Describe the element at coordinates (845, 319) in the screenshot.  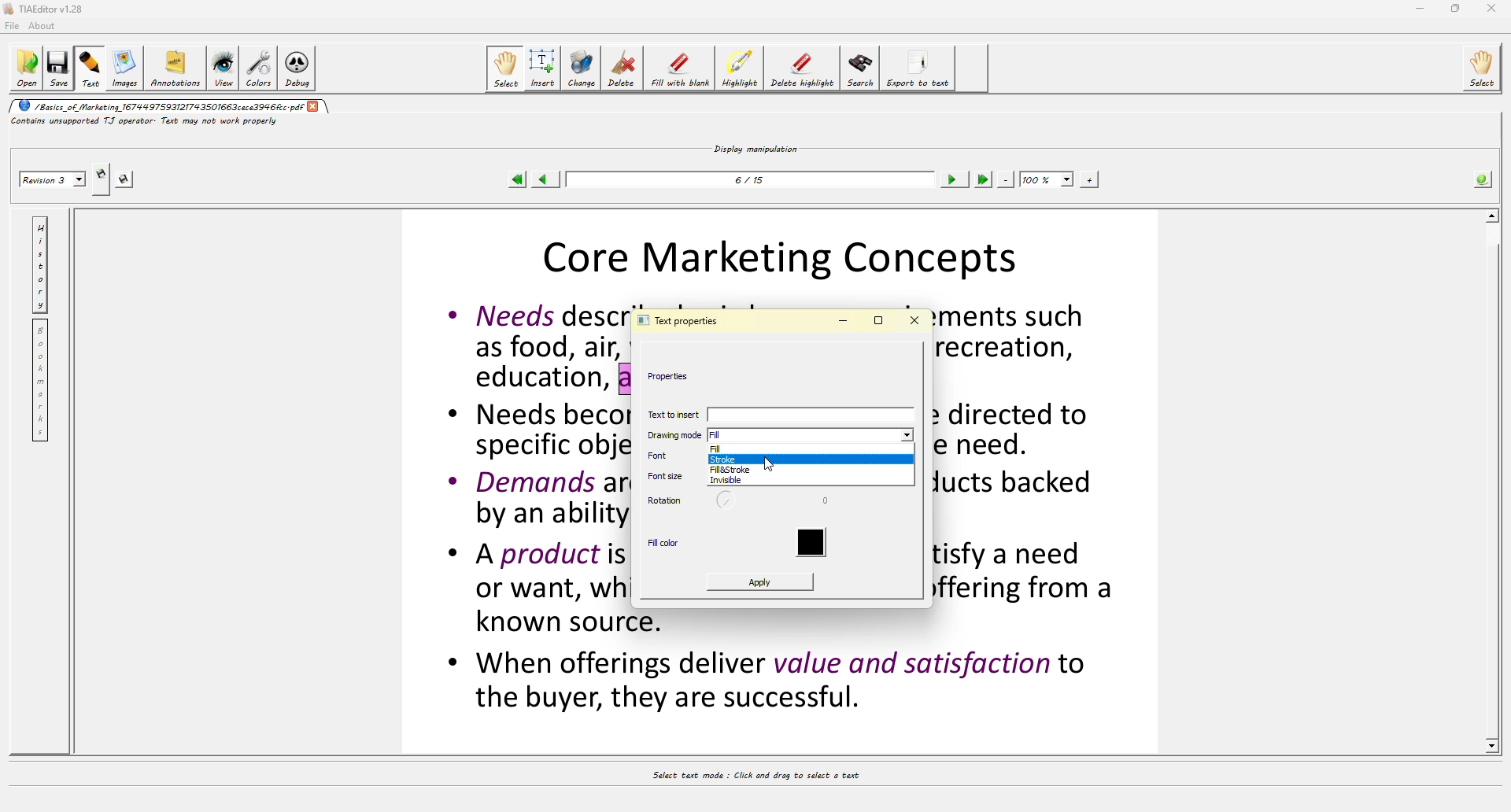
I see `minimize` at that location.